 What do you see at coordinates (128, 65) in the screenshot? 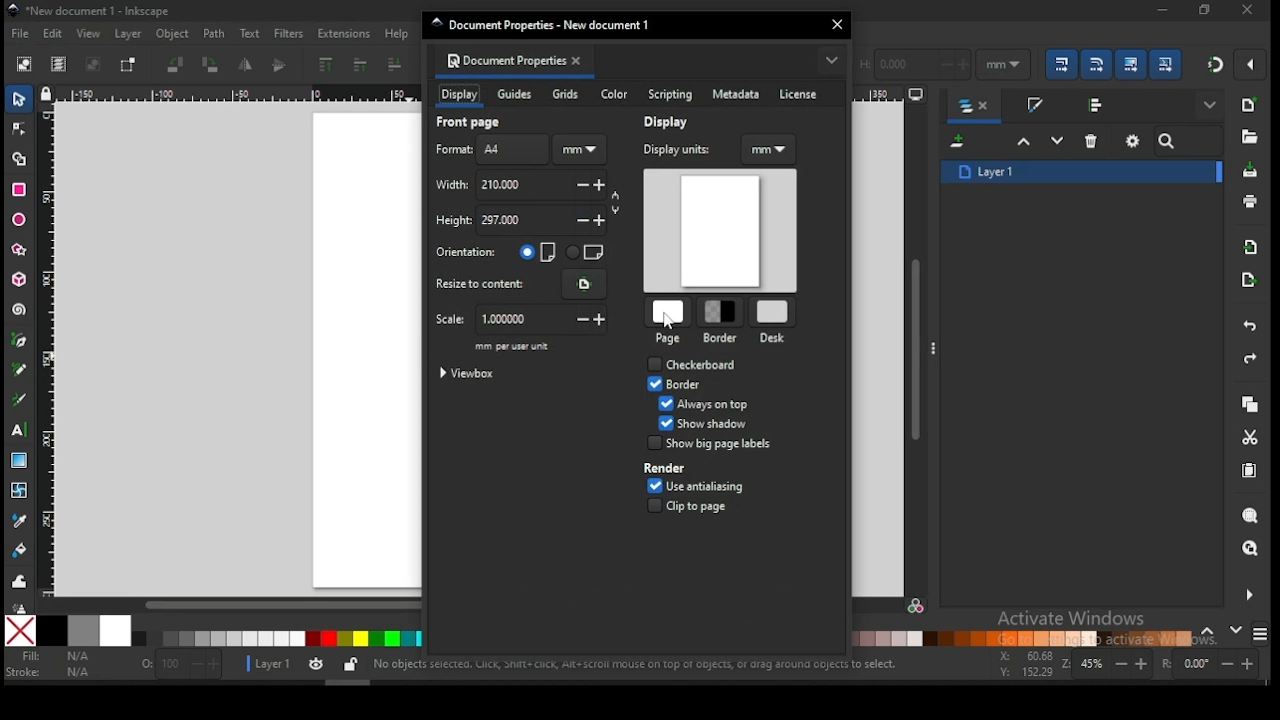
I see `toggle selection box to select all touched objects` at bounding box center [128, 65].